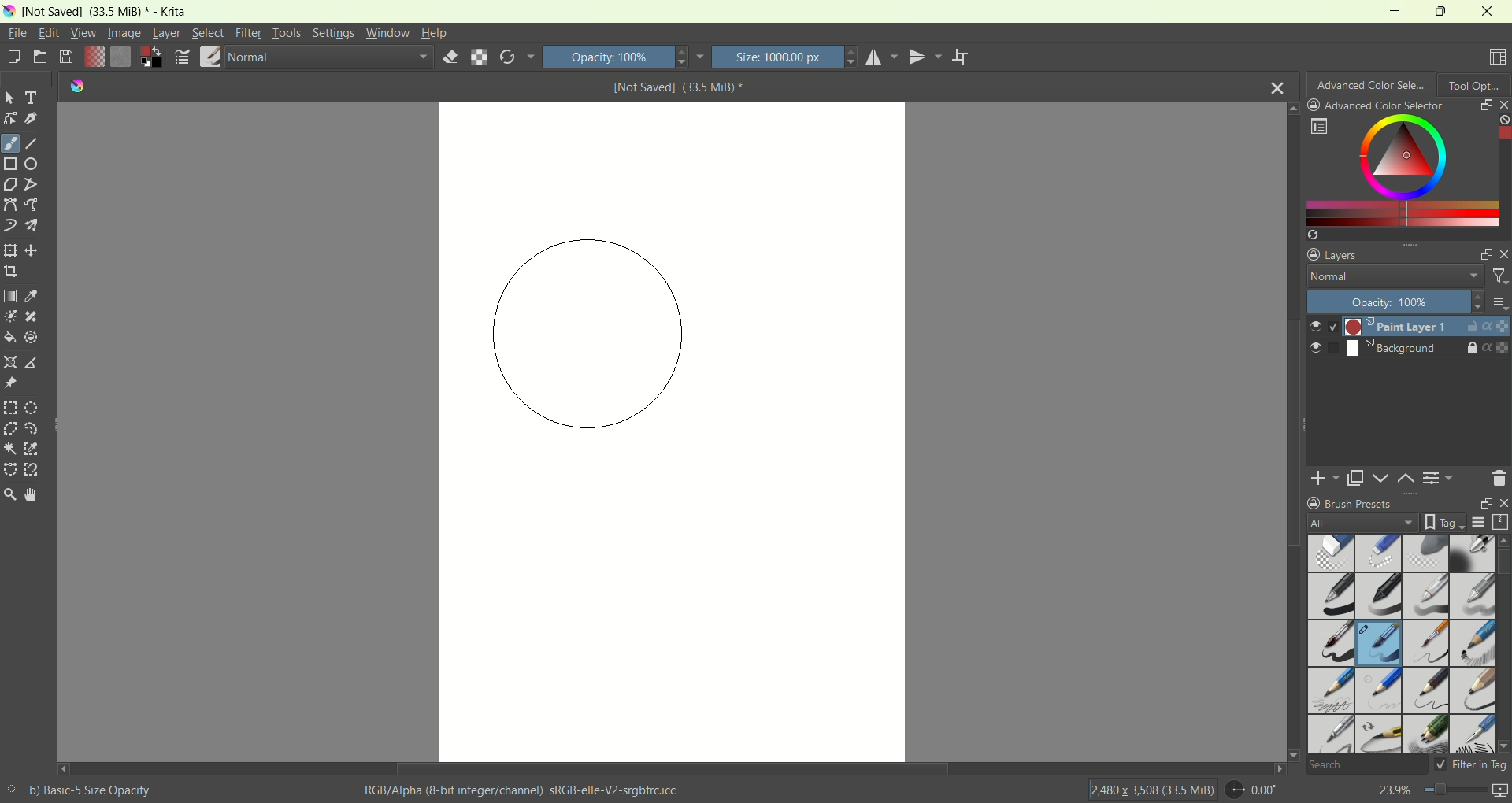 The width and height of the screenshot is (1512, 803). What do you see at coordinates (1407, 479) in the screenshot?
I see `move layer up` at bounding box center [1407, 479].